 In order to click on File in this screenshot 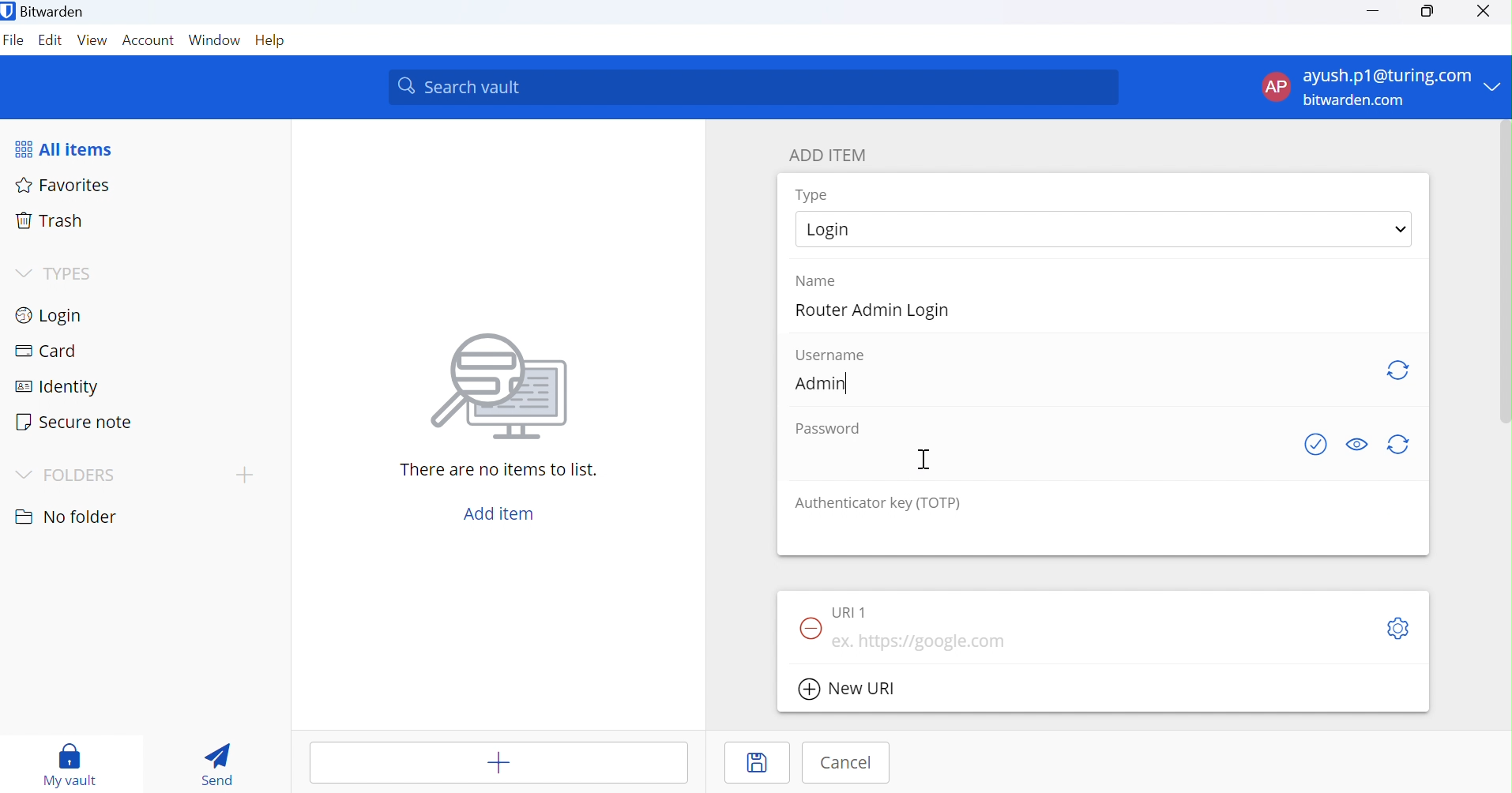, I will do `click(14, 43)`.